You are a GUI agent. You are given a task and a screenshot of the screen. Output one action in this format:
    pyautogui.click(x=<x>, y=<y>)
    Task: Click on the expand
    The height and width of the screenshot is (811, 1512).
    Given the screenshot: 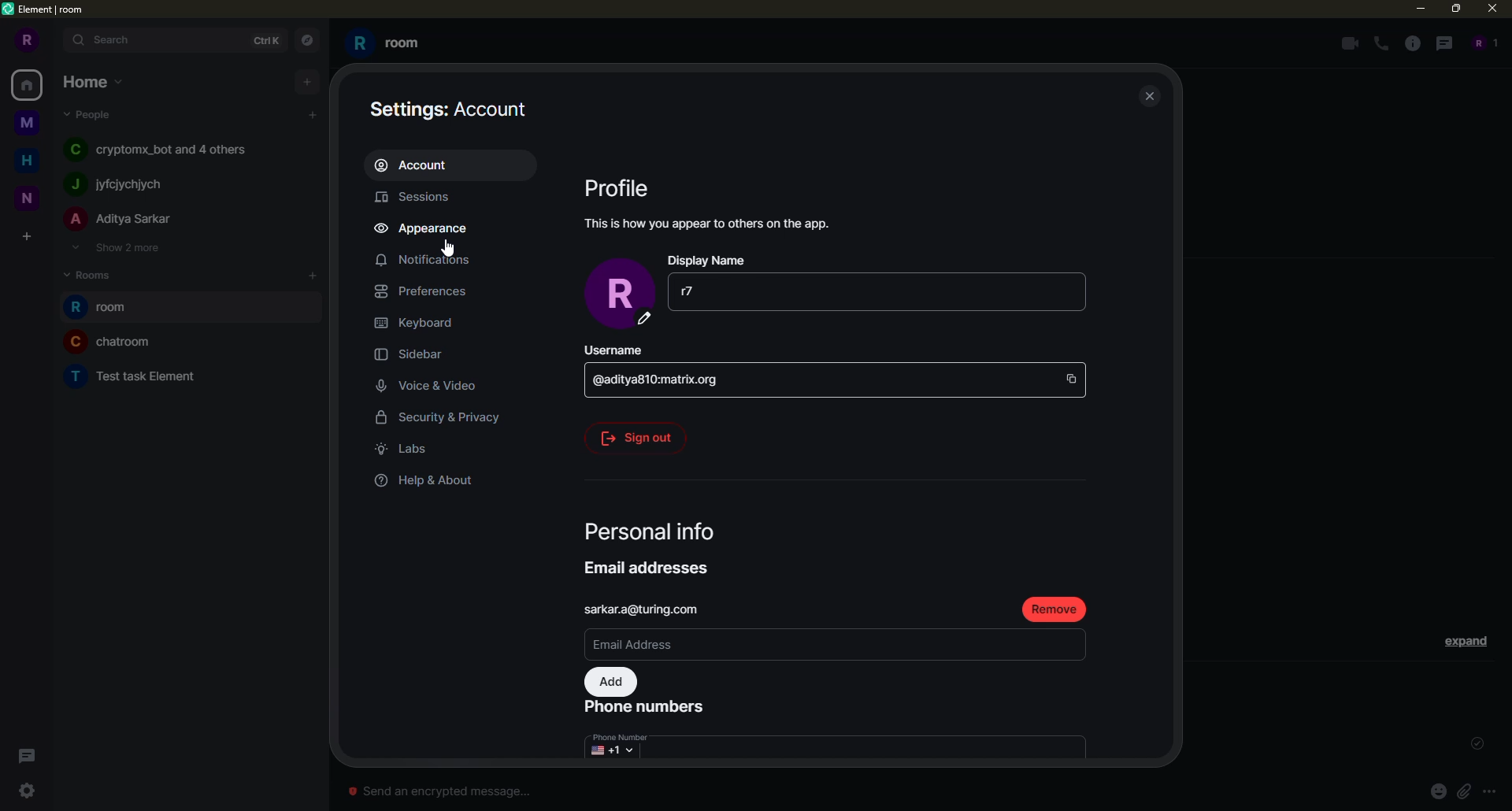 What is the action you would take?
    pyautogui.click(x=57, y=41)
    